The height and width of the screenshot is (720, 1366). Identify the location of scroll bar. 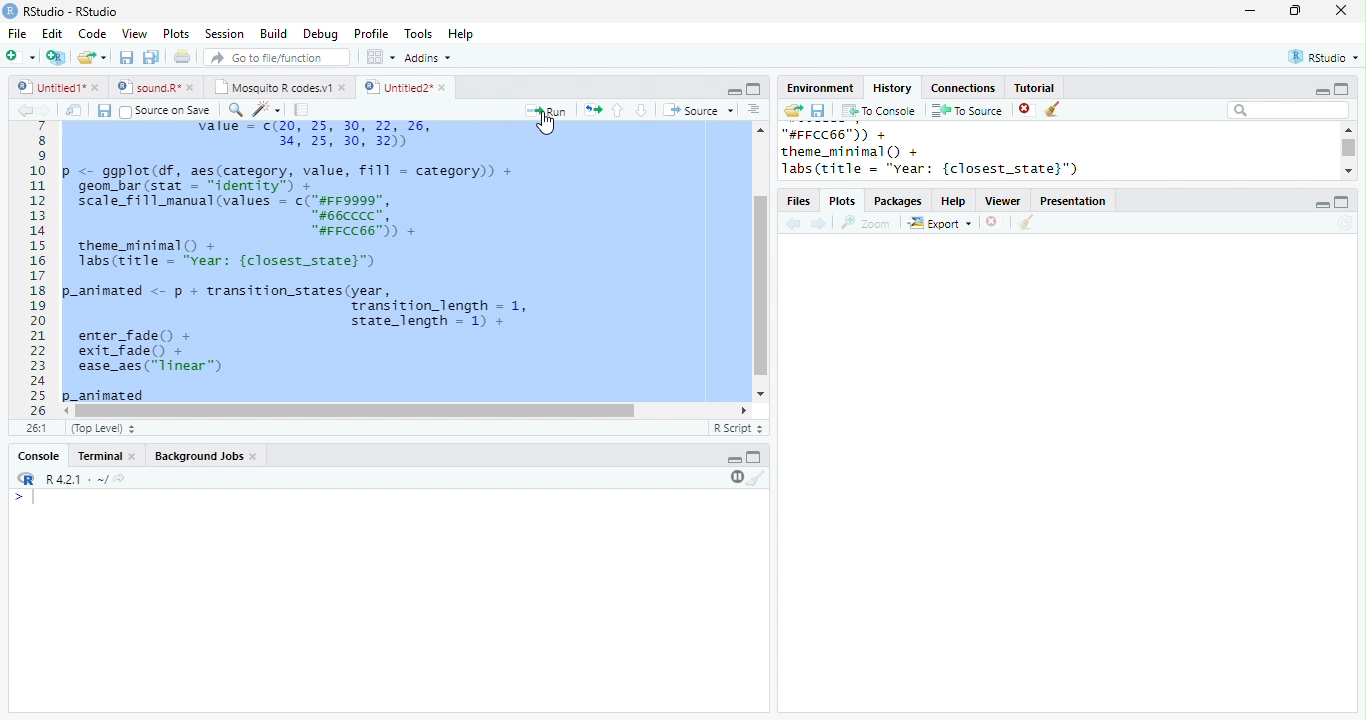
(759, 286).